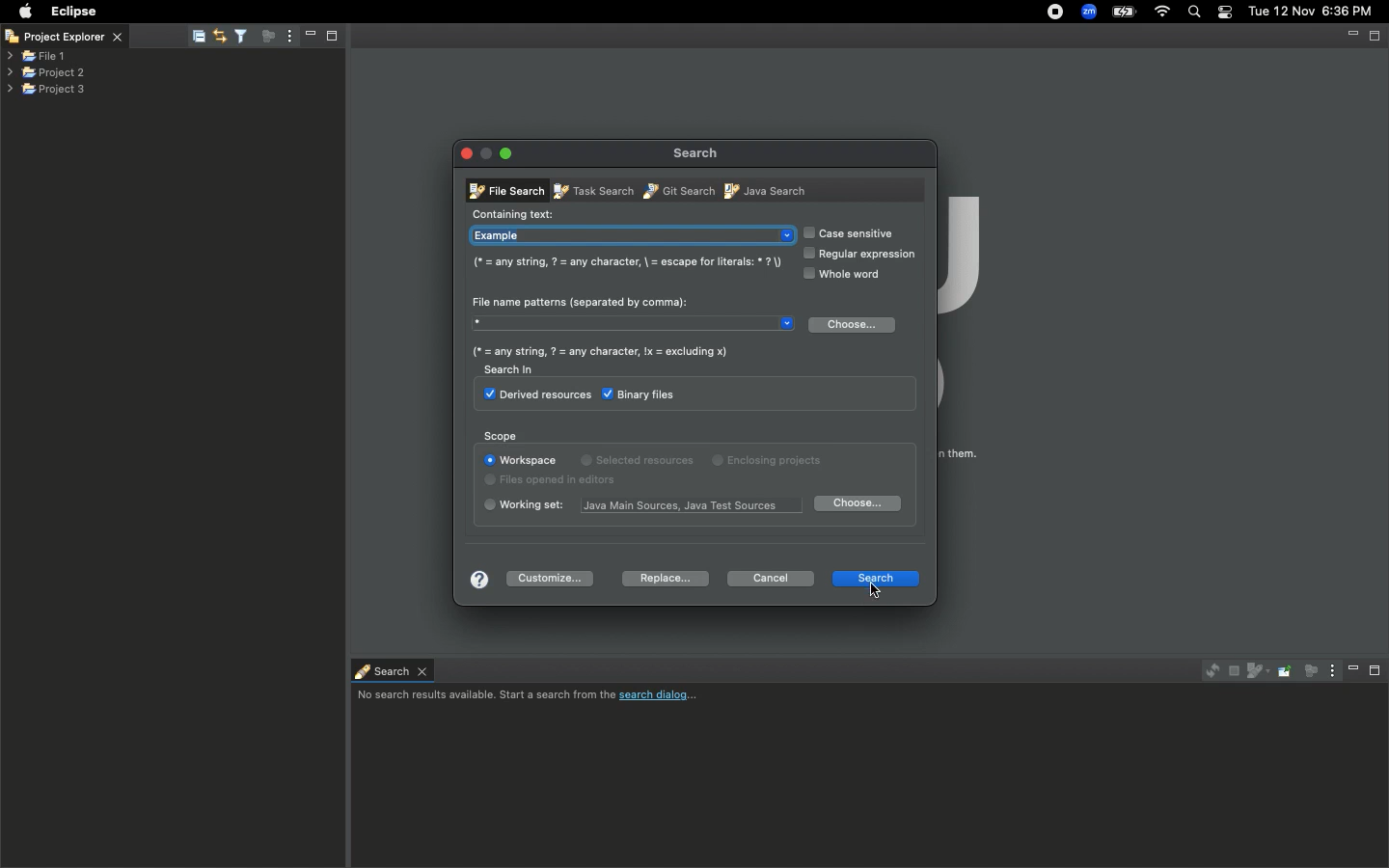 This screenshot has width=1389, height=868. Describe the element at coordinates (1376, 36) in the screenshot. I see `Maximize` at that location.